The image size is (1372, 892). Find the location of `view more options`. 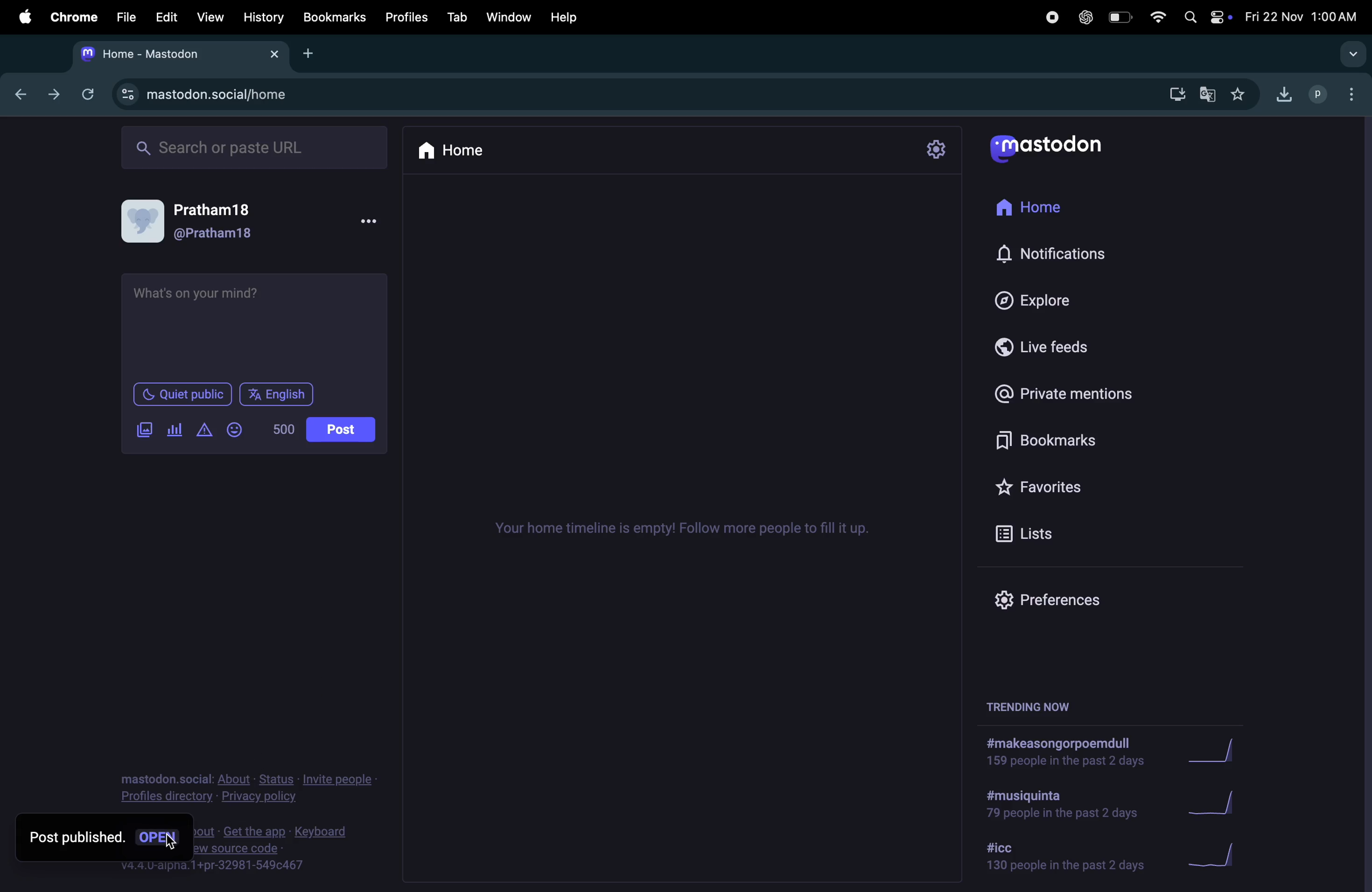

view more options is located at coordinates (374, 221).